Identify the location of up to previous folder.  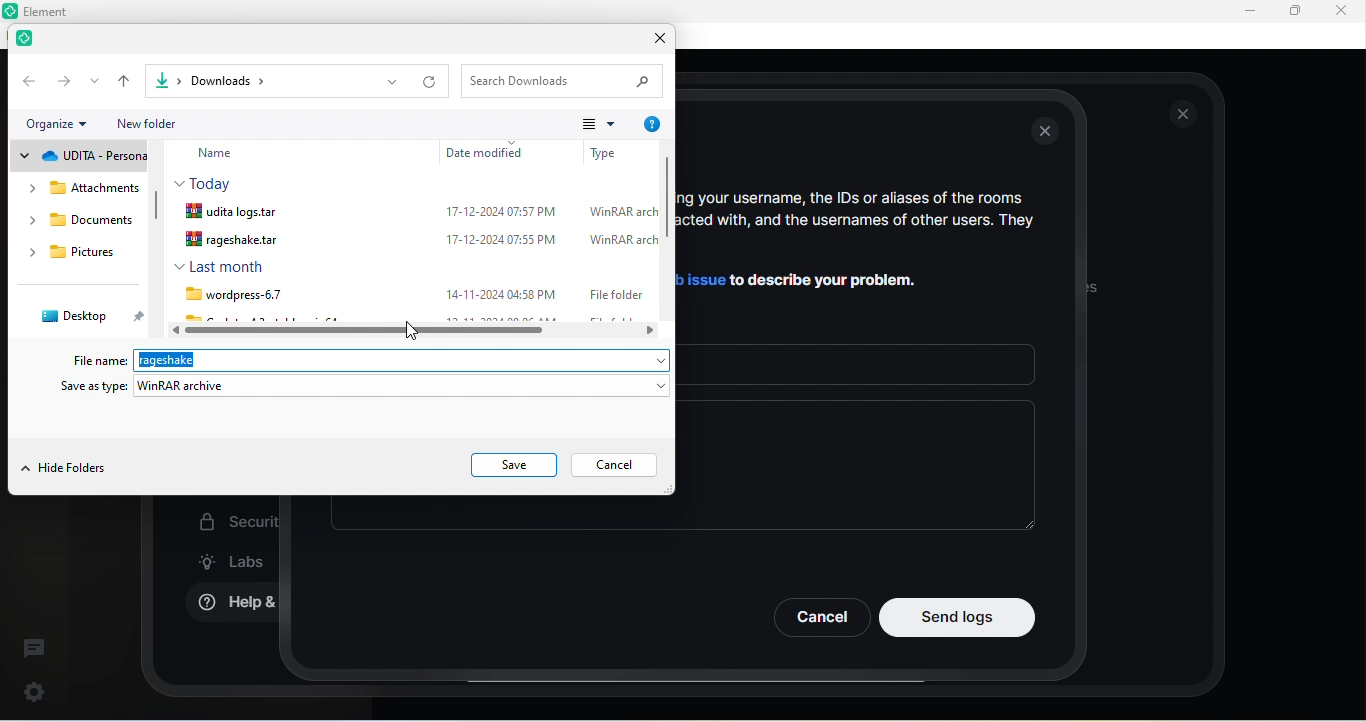
(126, 81).